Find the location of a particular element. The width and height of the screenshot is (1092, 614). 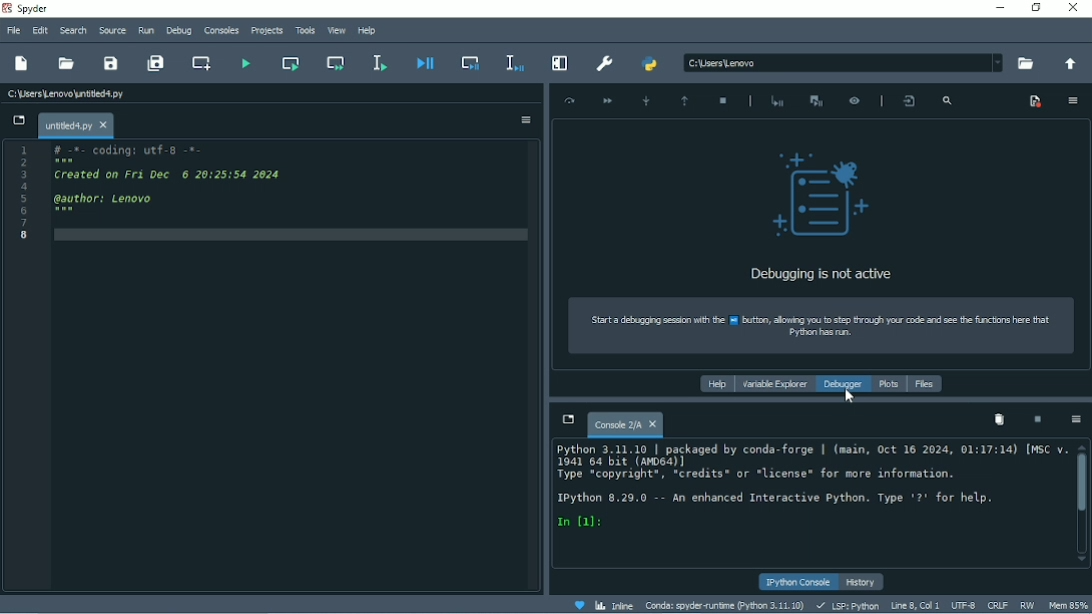

Source is located at coordinates (114, 31).